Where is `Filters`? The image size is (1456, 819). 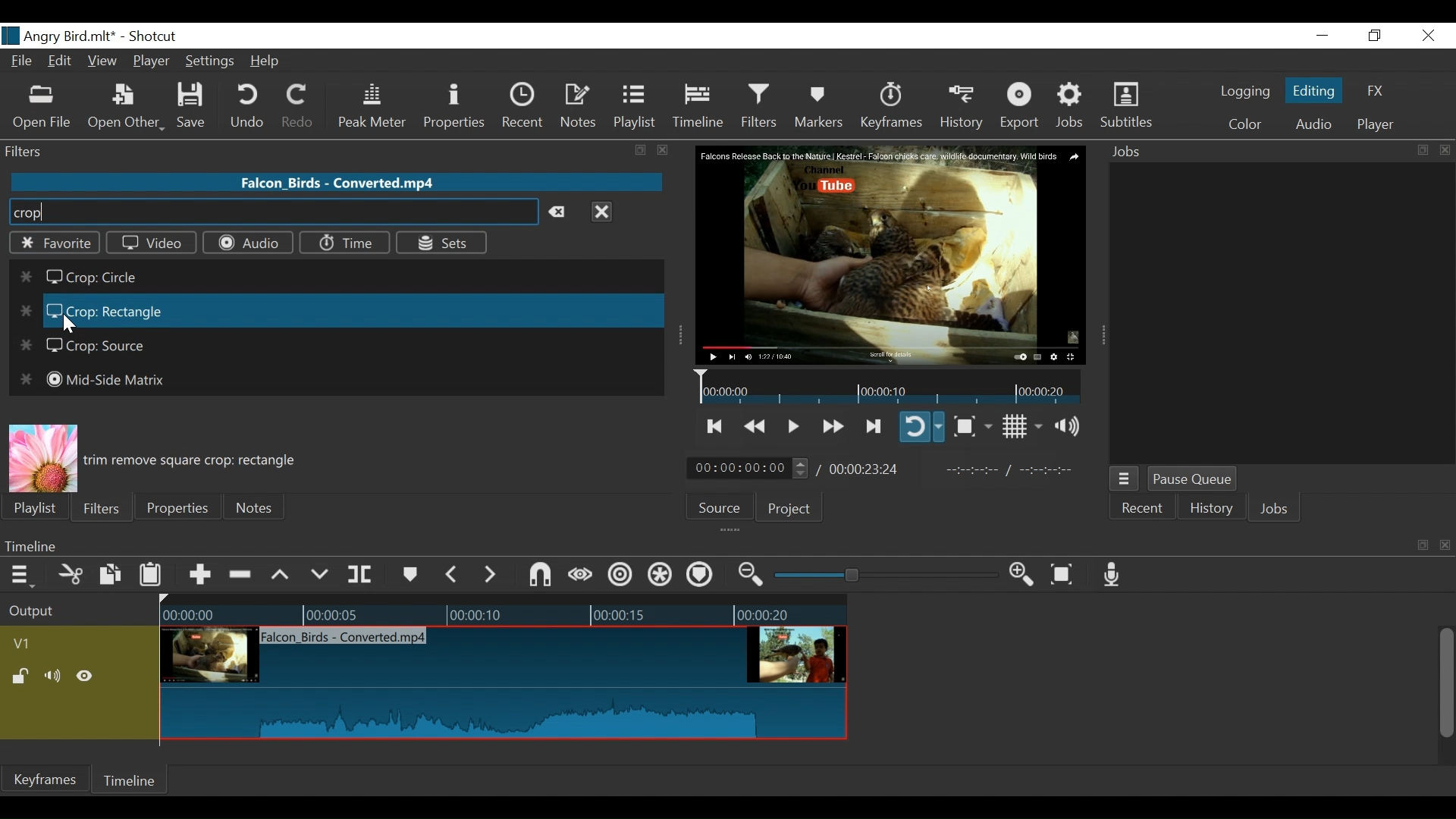 Filters is located at coordinates (99, 507).